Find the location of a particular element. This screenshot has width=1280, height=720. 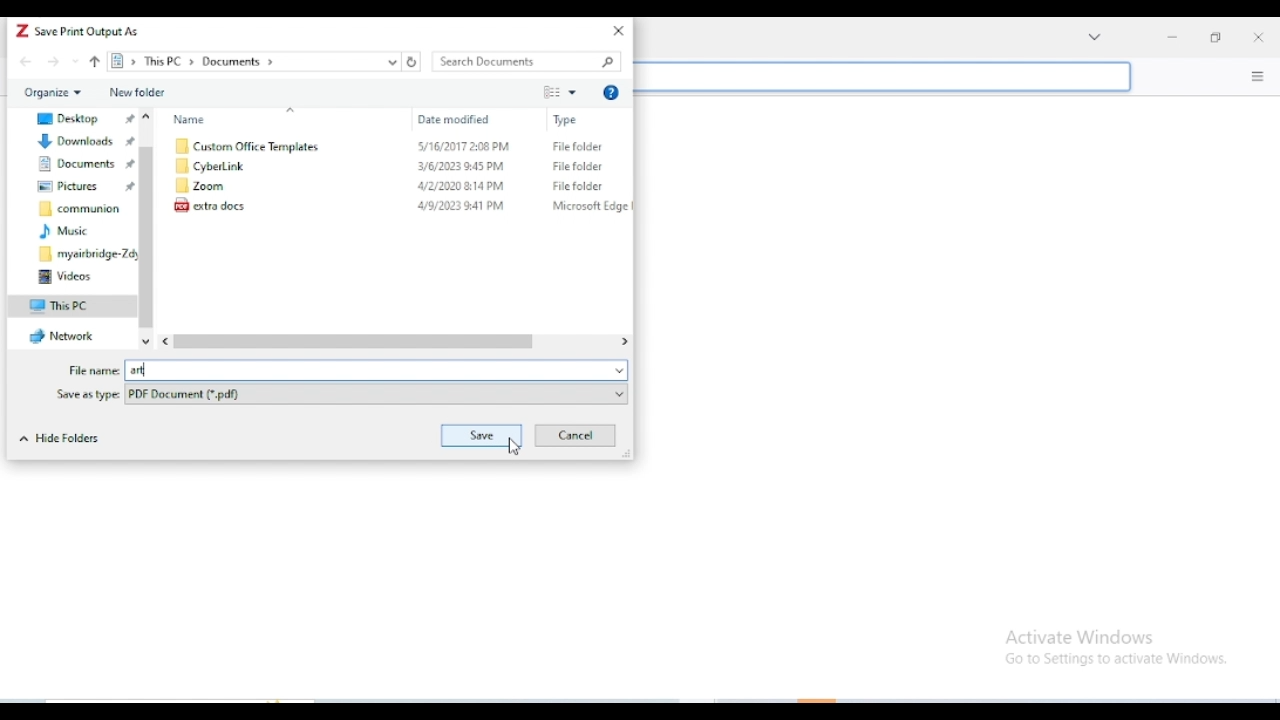

Zoom folder is located at coordinates (203, 185).